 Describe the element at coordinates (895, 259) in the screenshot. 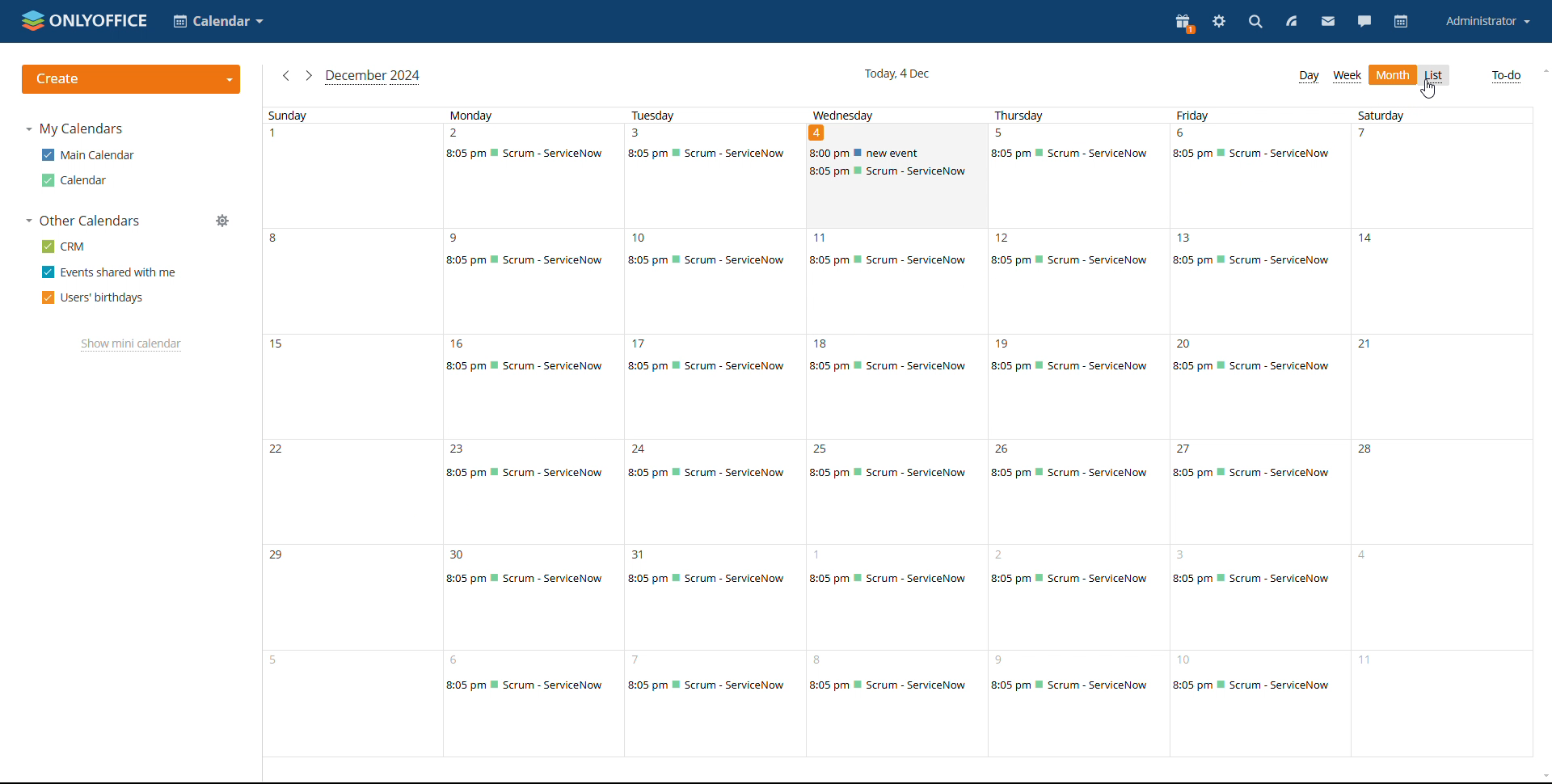

I see `recurring events` at that location.